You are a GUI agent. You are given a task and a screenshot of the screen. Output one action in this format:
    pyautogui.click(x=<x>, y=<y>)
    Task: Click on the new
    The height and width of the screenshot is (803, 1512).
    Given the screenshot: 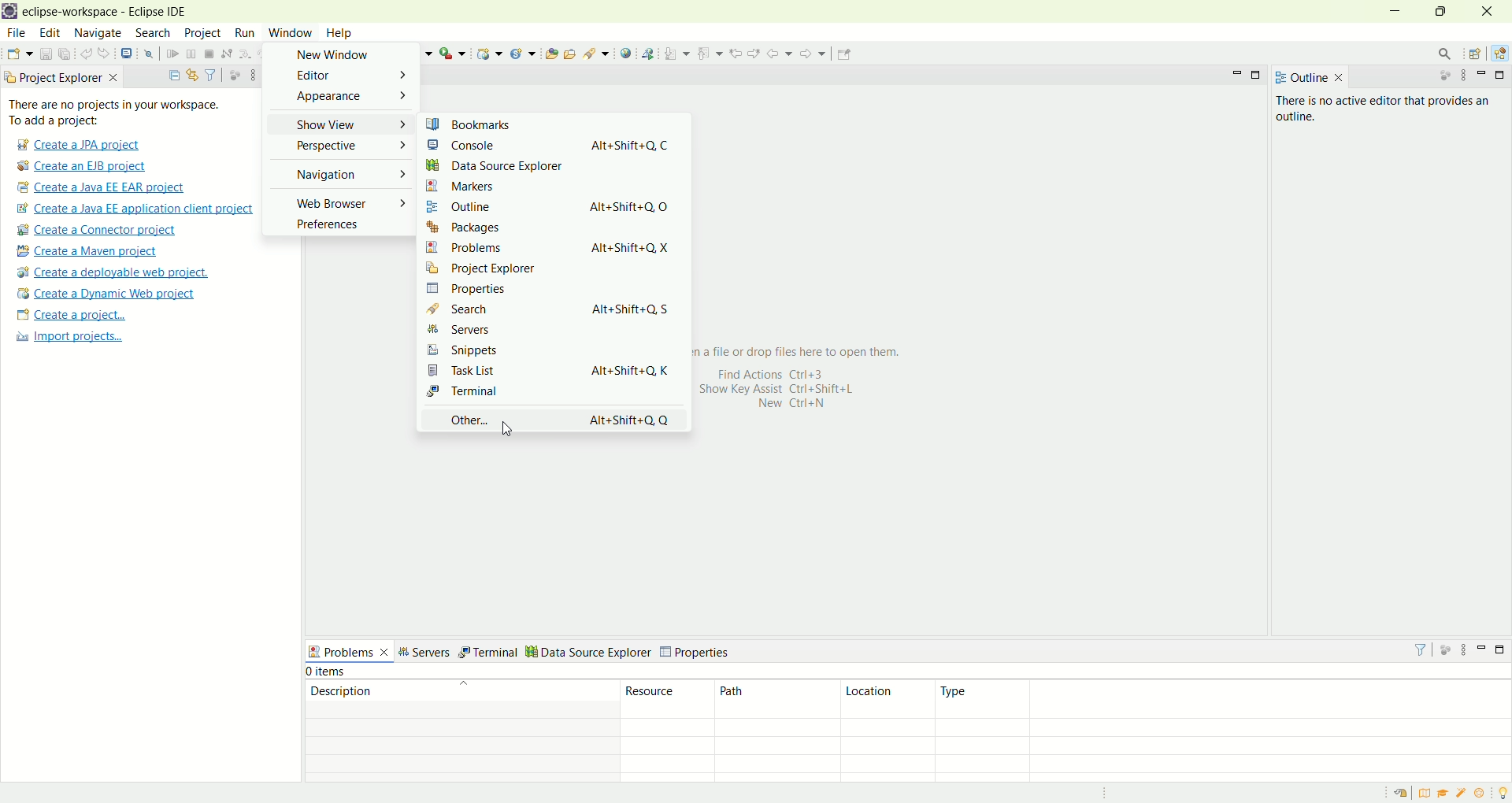 What is the action you would take?
    pyautogui.click(x=18, y=54)
    